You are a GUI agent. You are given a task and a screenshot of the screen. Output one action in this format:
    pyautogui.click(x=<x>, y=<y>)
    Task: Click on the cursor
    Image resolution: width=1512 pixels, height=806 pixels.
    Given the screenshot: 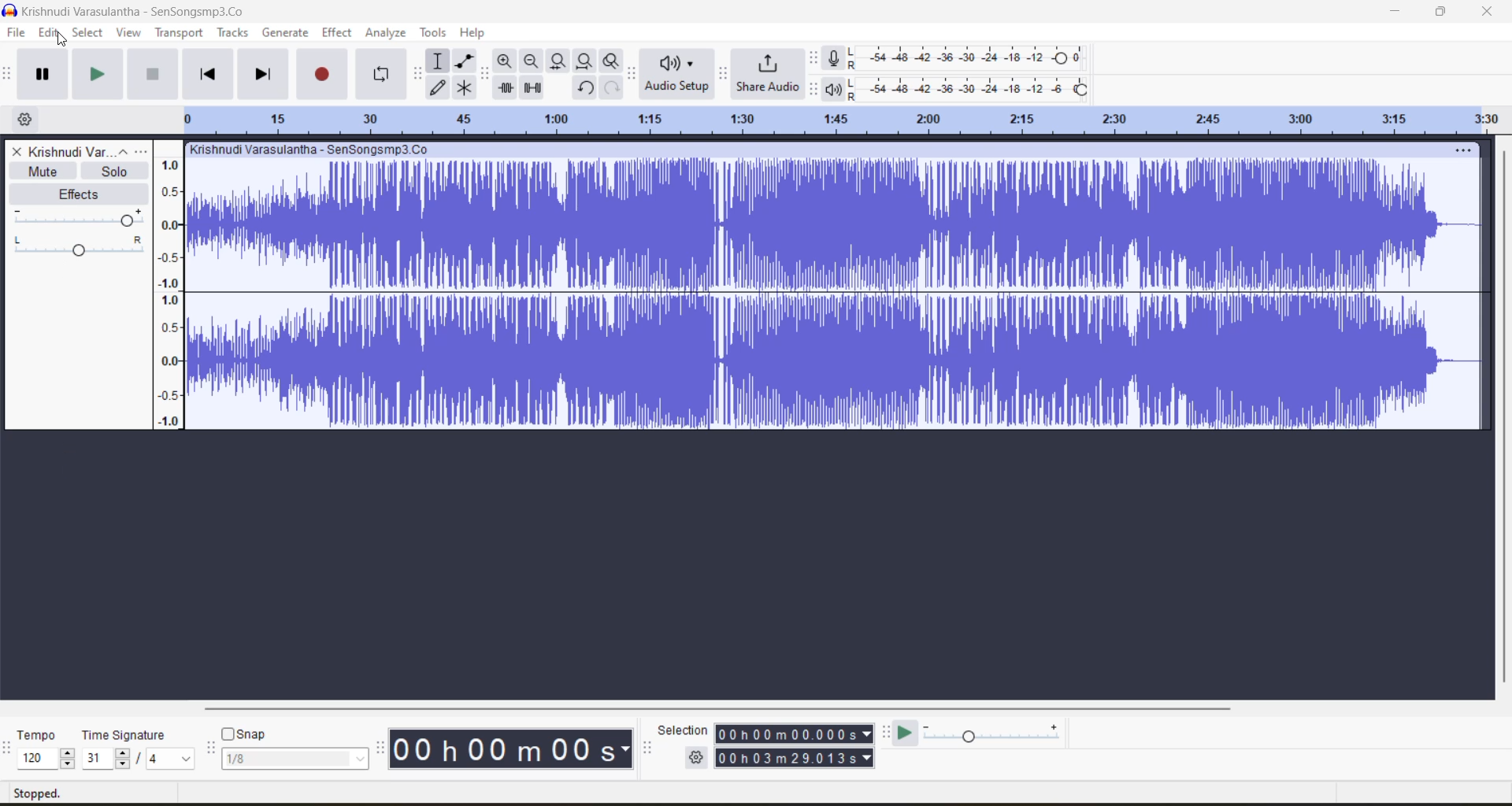 What is the action you would take?
    pyautogui.click(x=60, y=39)
    